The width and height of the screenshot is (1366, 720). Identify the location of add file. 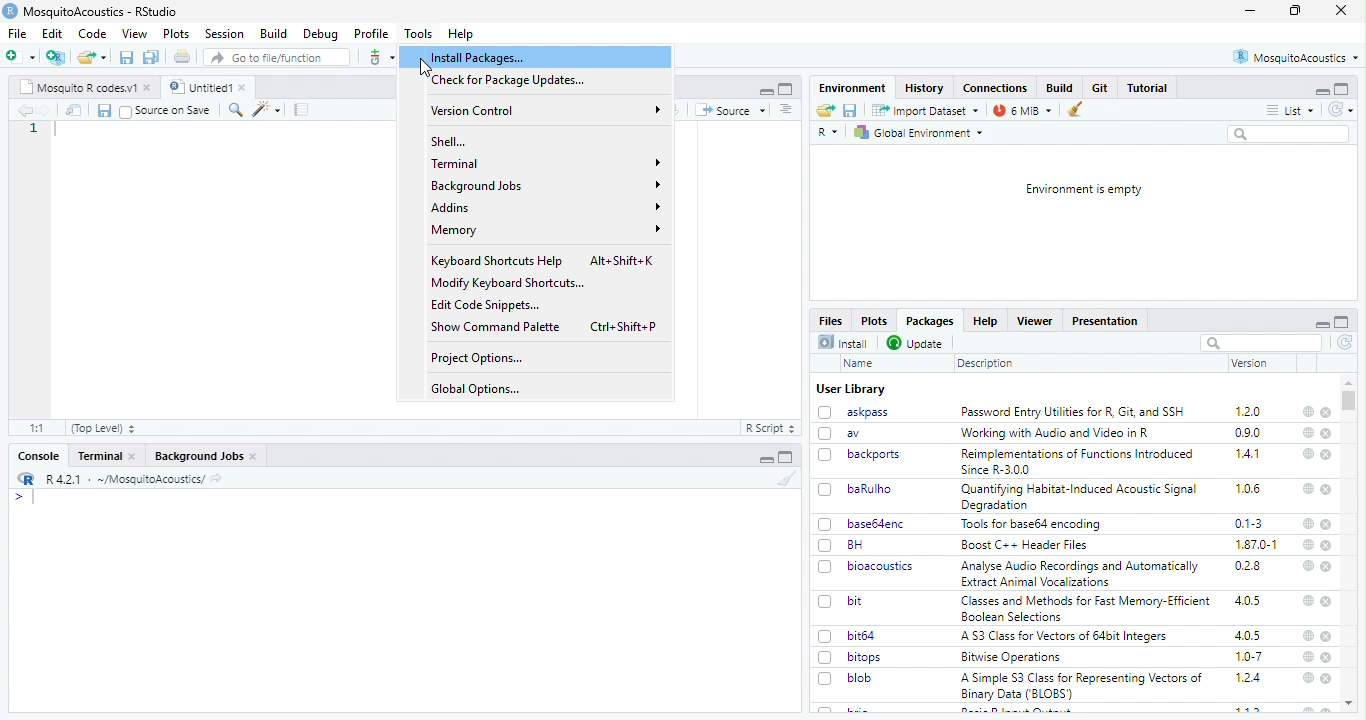
(56, 57).